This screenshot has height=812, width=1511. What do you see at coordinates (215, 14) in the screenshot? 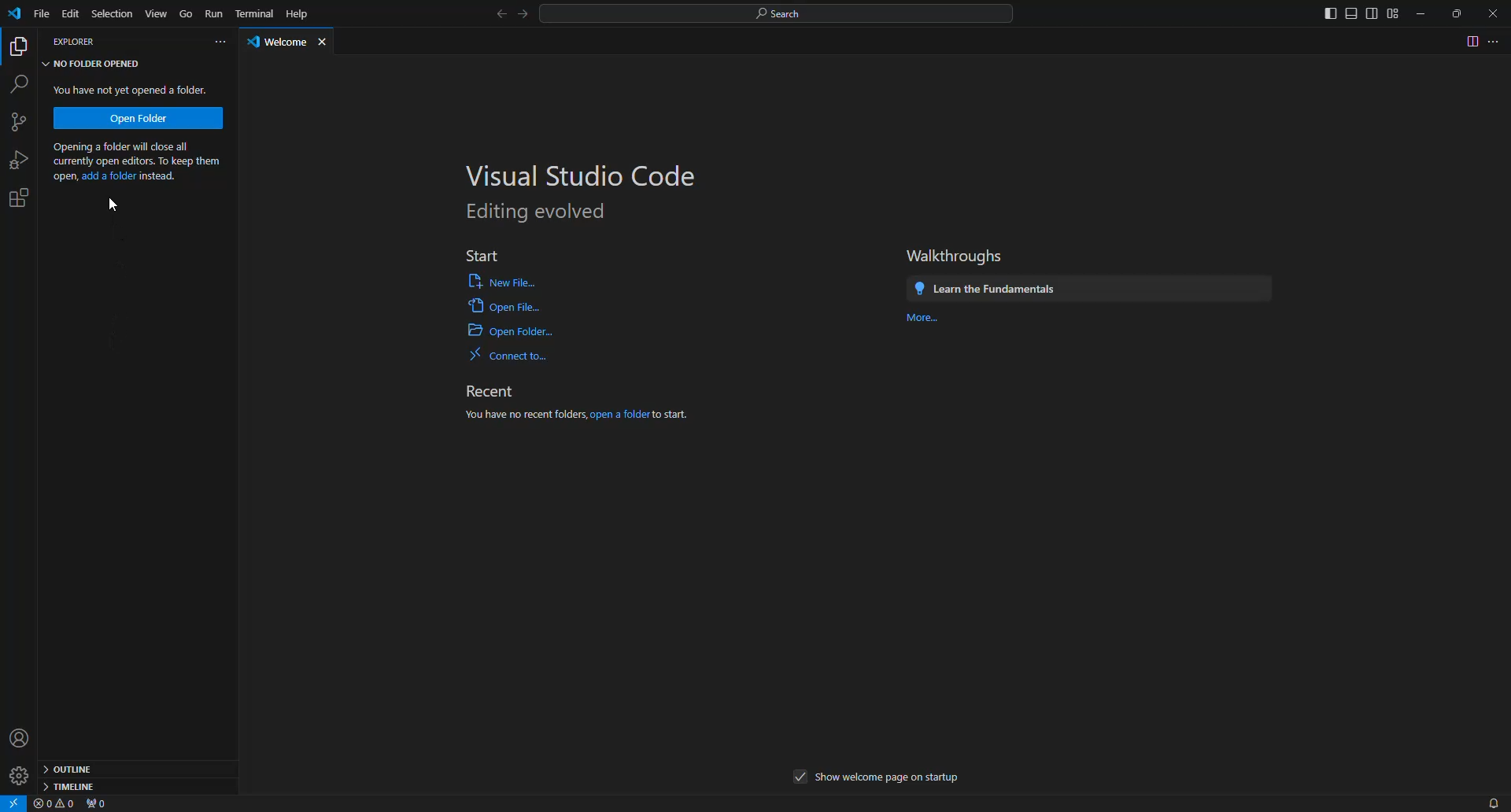
I see `run` at bounding box center [215, 14].